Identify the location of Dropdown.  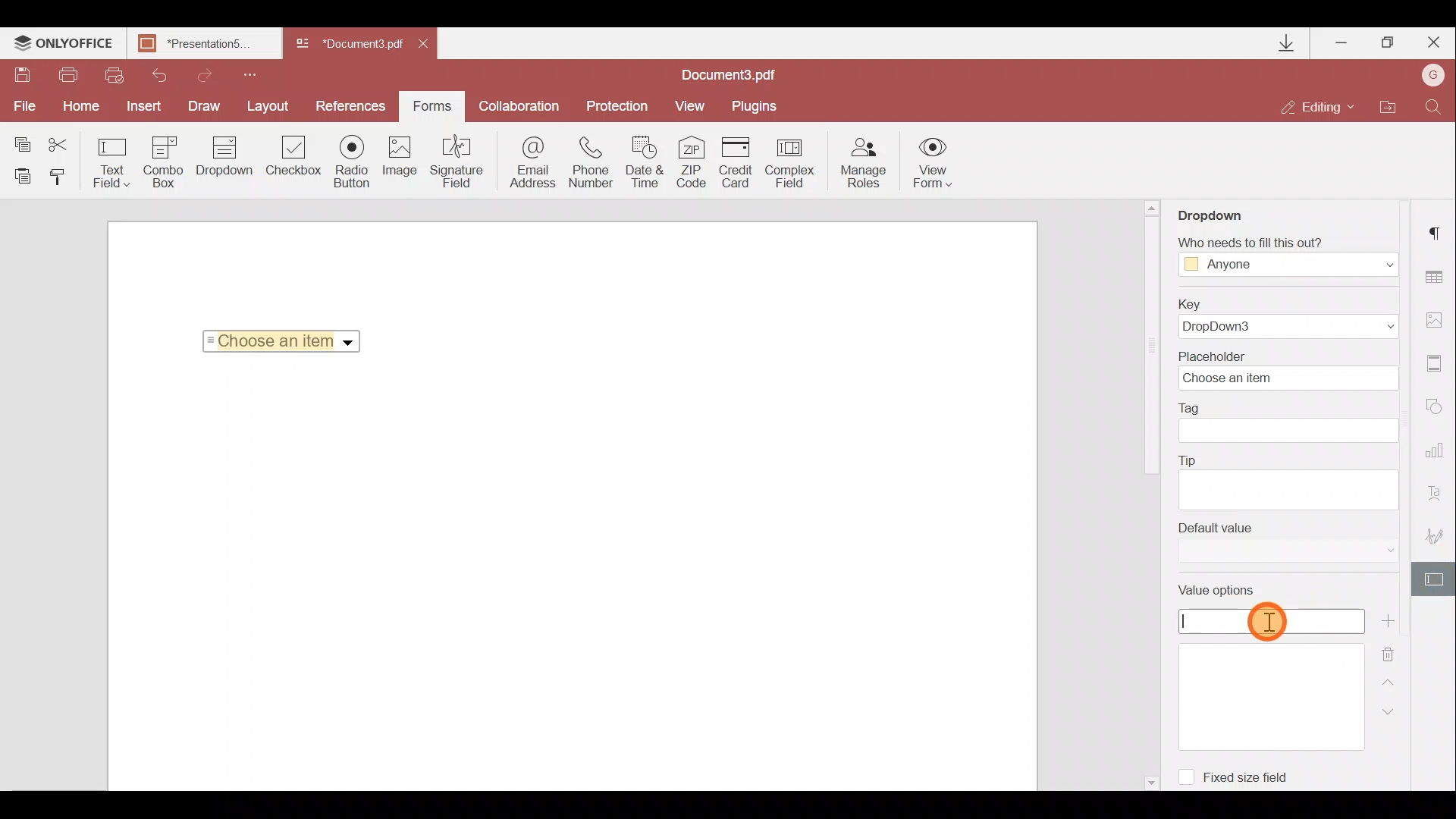
(350, 343).